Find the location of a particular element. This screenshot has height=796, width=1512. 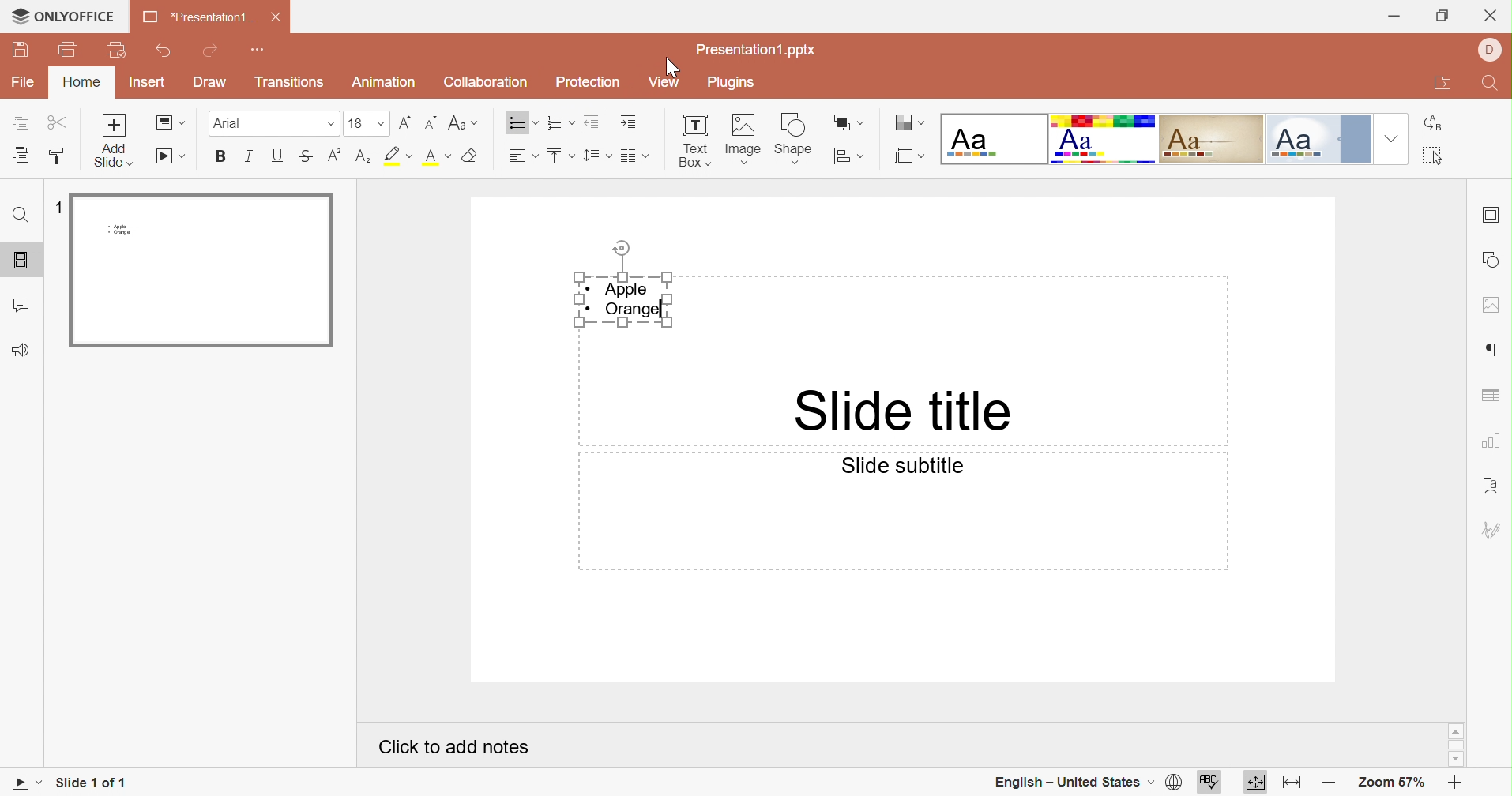

English - United States is located at coordinates (1066, 780).